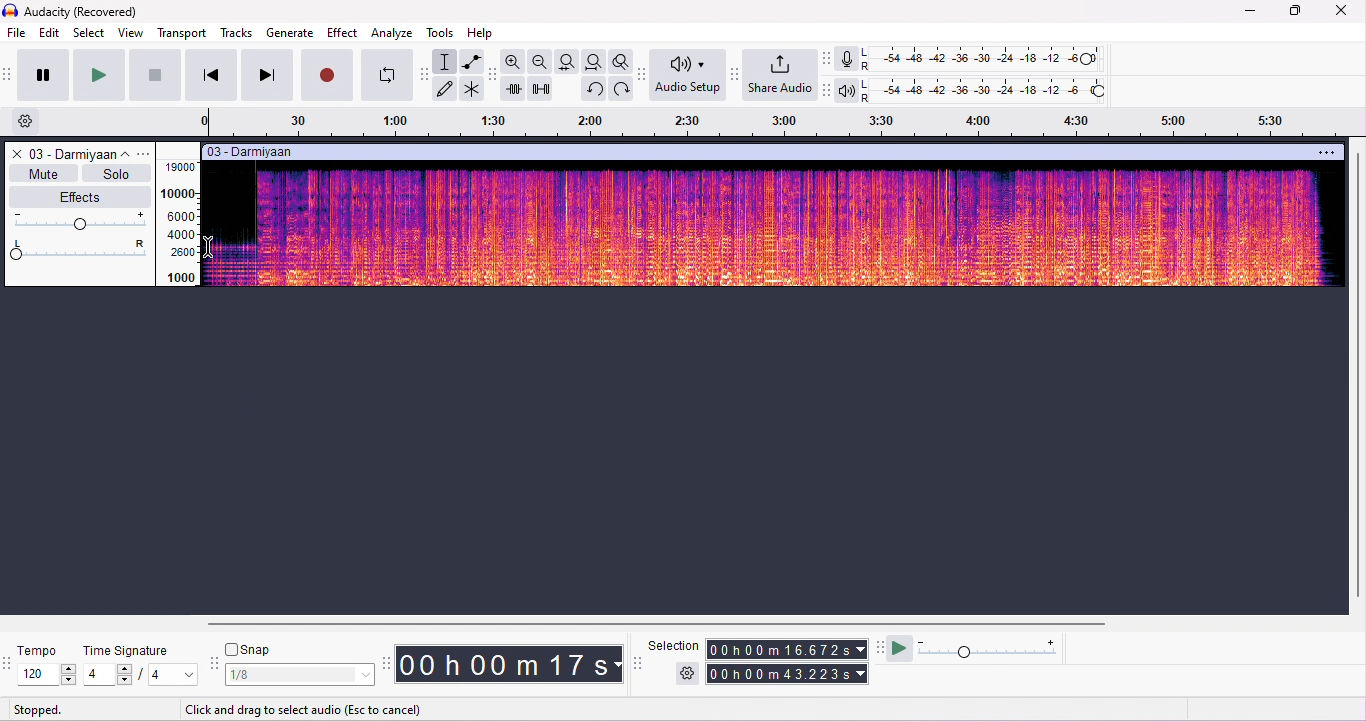  I want to click on looping, so click(384, 75).